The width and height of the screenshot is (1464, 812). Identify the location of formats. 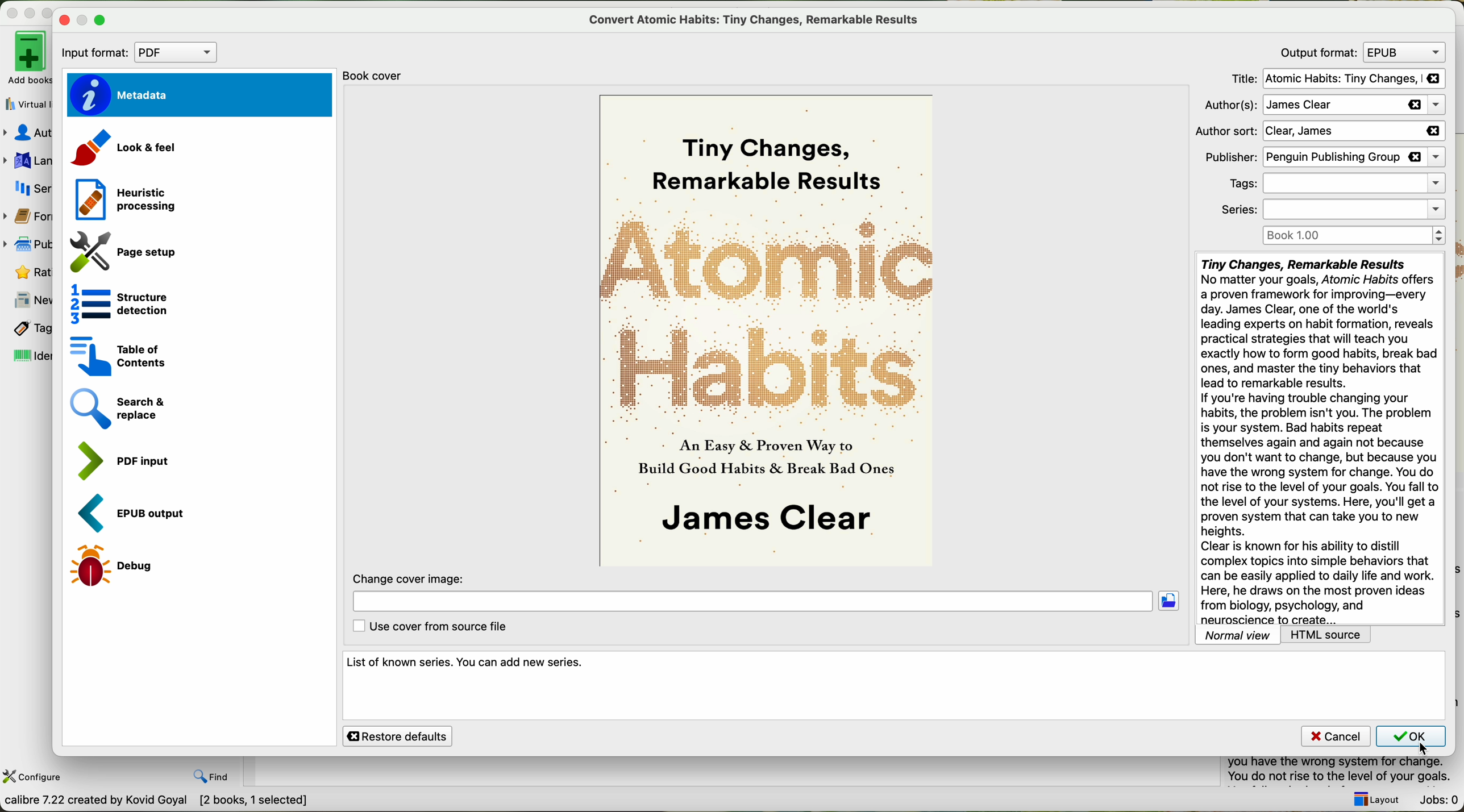
(28, 216).